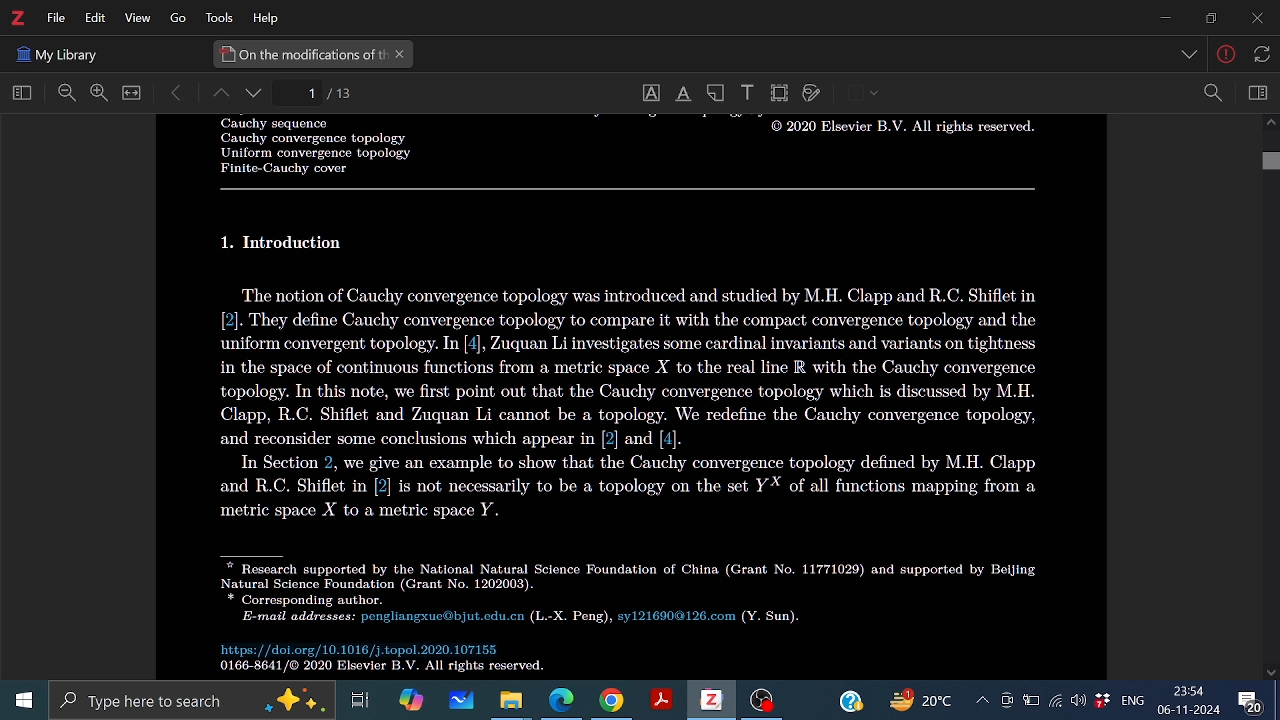 The image size is (1280, 720). I want to click on Underline text, so click(682, 94).